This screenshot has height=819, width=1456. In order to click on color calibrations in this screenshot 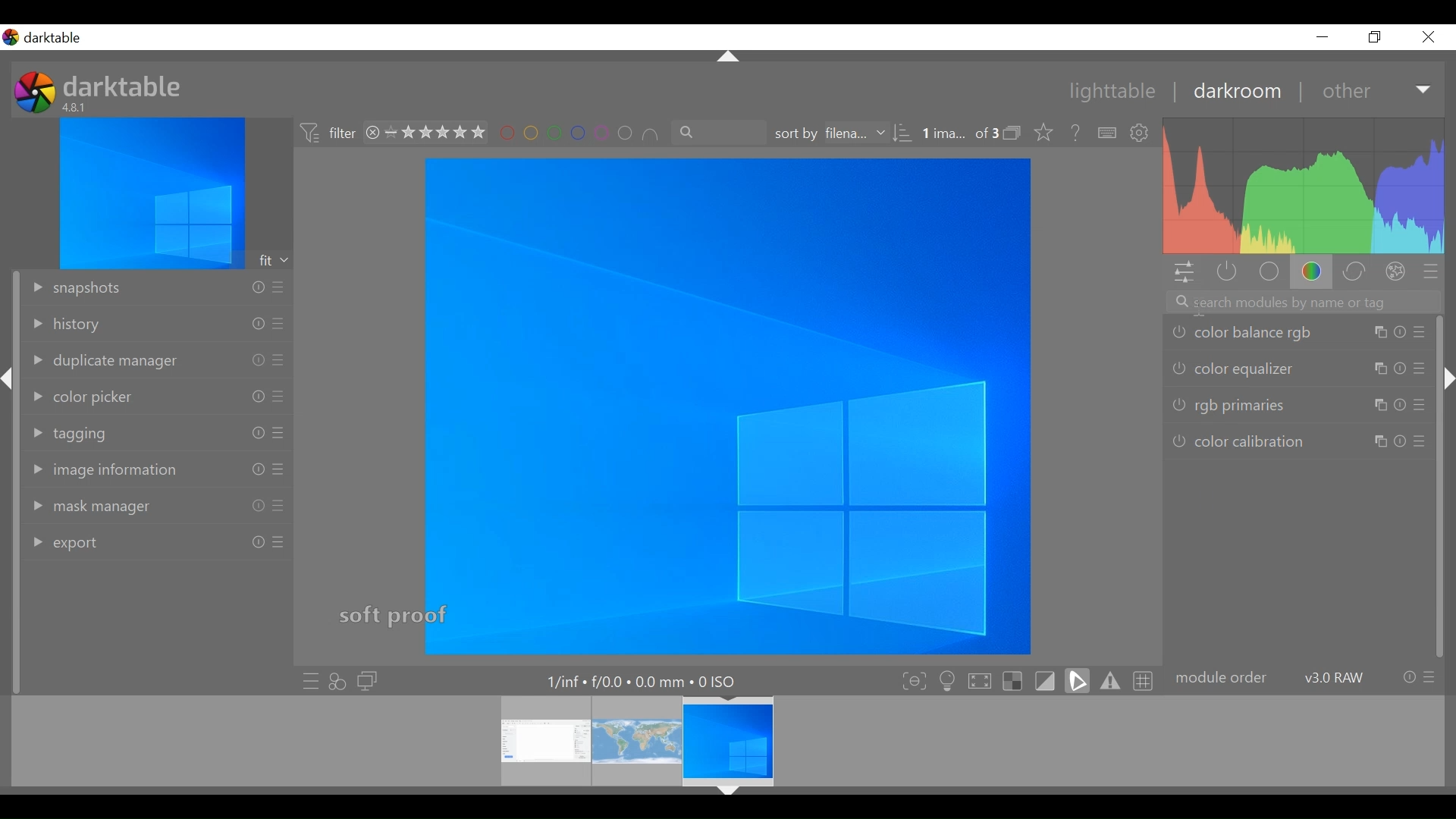, I will do `click(1238, 443)`.